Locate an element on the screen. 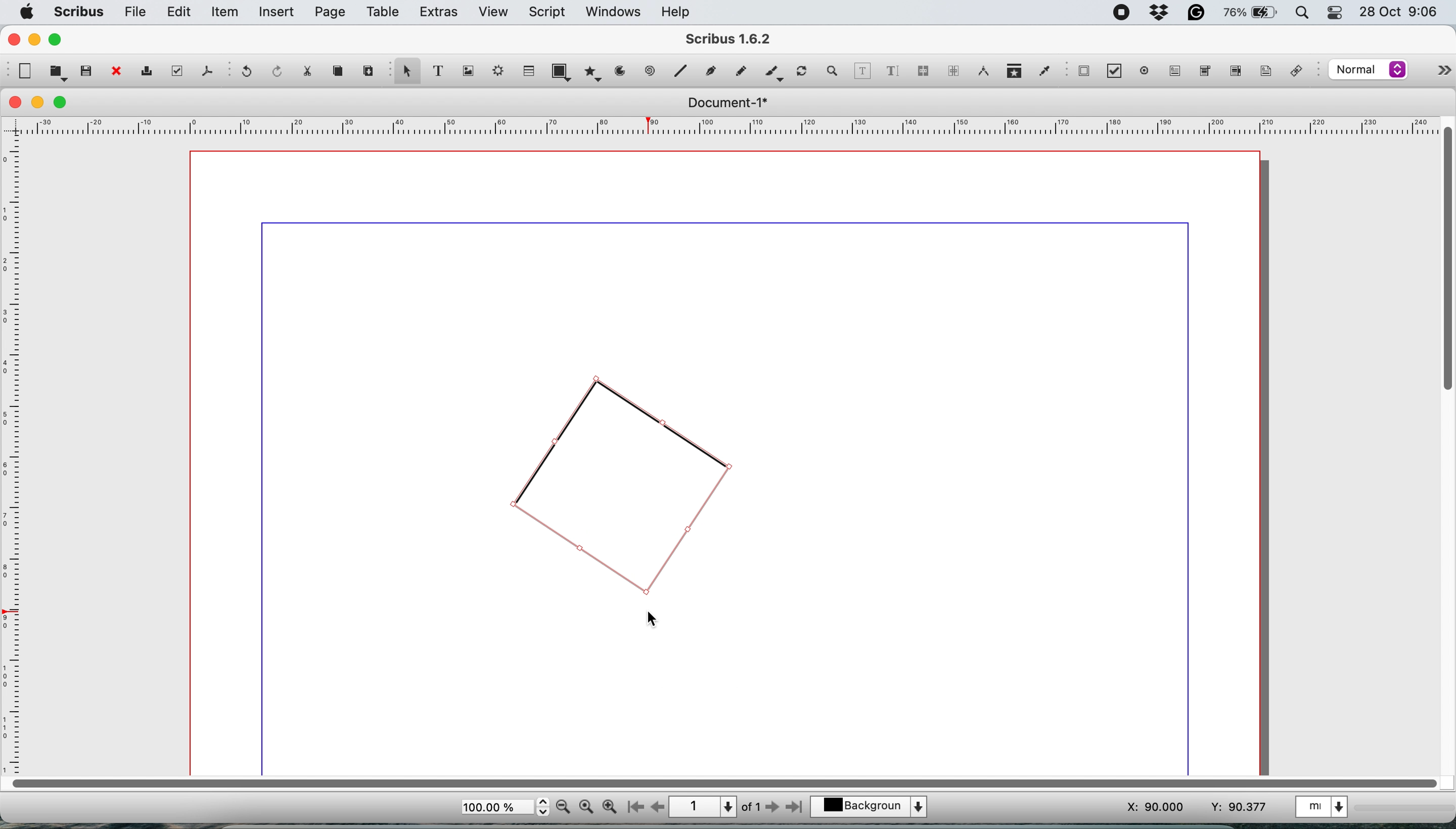  vertical scale is located at coordinates (15, 453).